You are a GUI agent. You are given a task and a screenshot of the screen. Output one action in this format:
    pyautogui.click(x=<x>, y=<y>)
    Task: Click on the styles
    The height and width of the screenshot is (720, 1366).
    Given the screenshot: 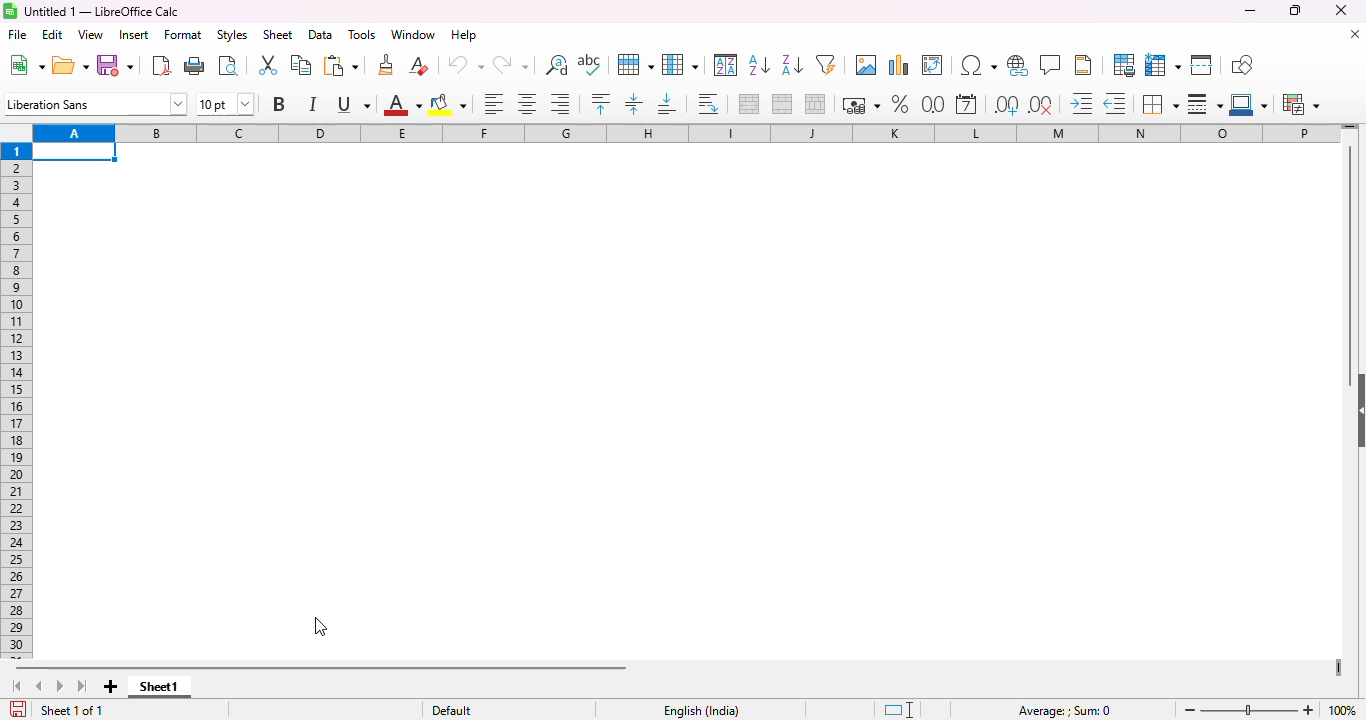 What is the action you would take?
    pyautogui.click(x=231, y=34)
    